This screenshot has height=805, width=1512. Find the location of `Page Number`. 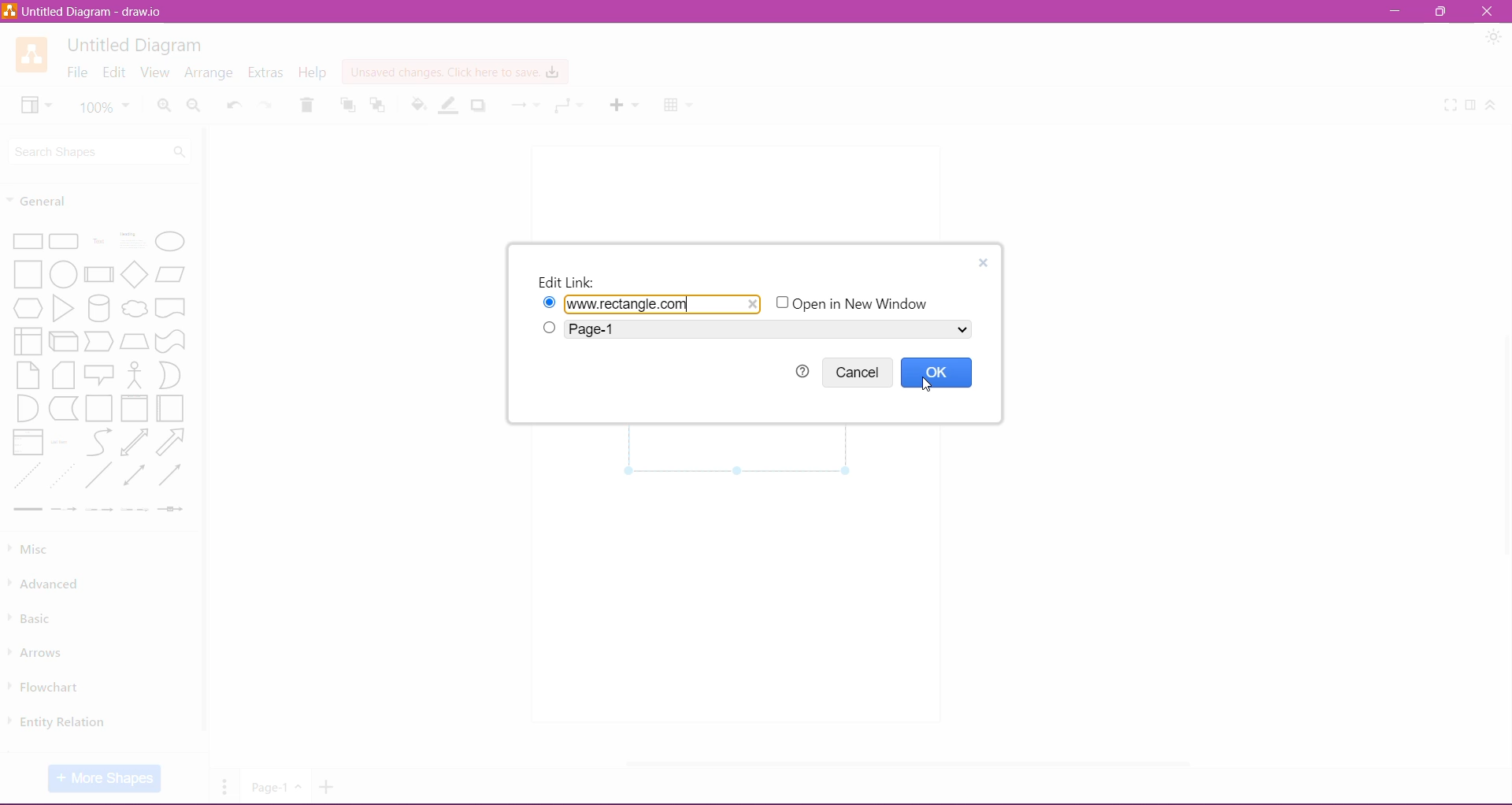

Page Number is located at coordinates (275, 787).